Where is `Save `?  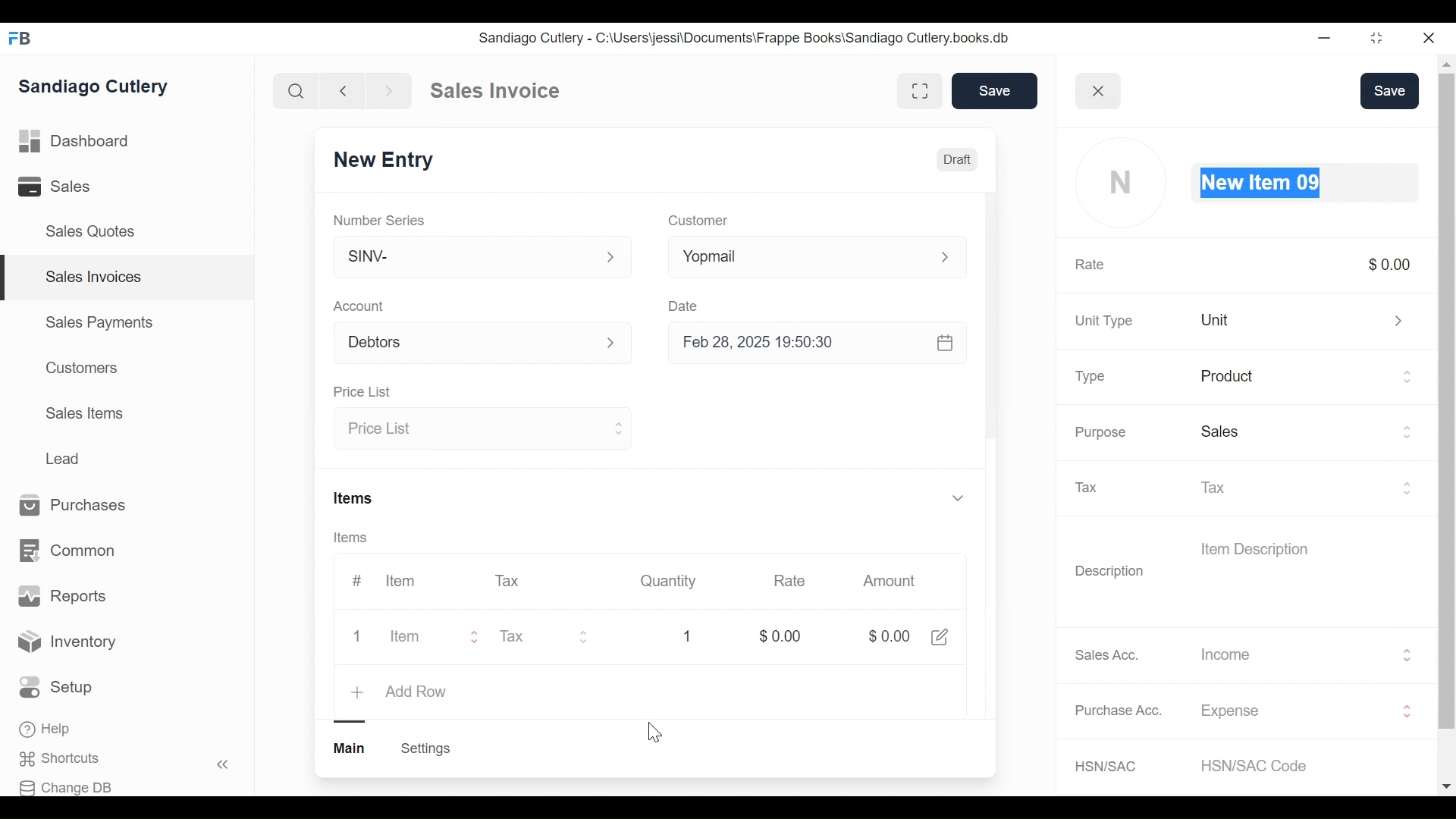
Save  is located at coordinates (992, 90).